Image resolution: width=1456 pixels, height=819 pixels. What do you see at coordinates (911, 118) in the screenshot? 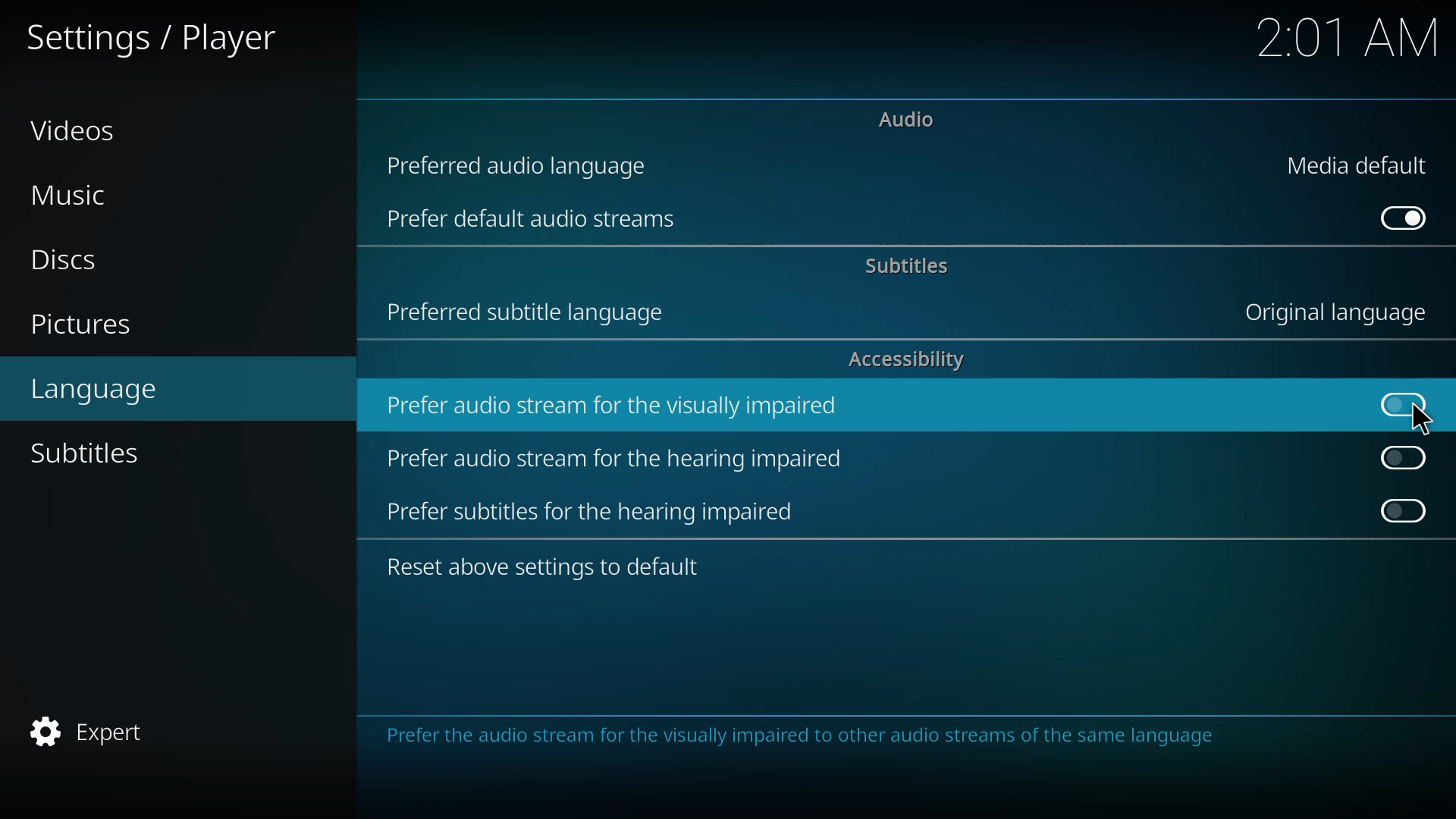
I see `audio` at bounding box center [911, 118].